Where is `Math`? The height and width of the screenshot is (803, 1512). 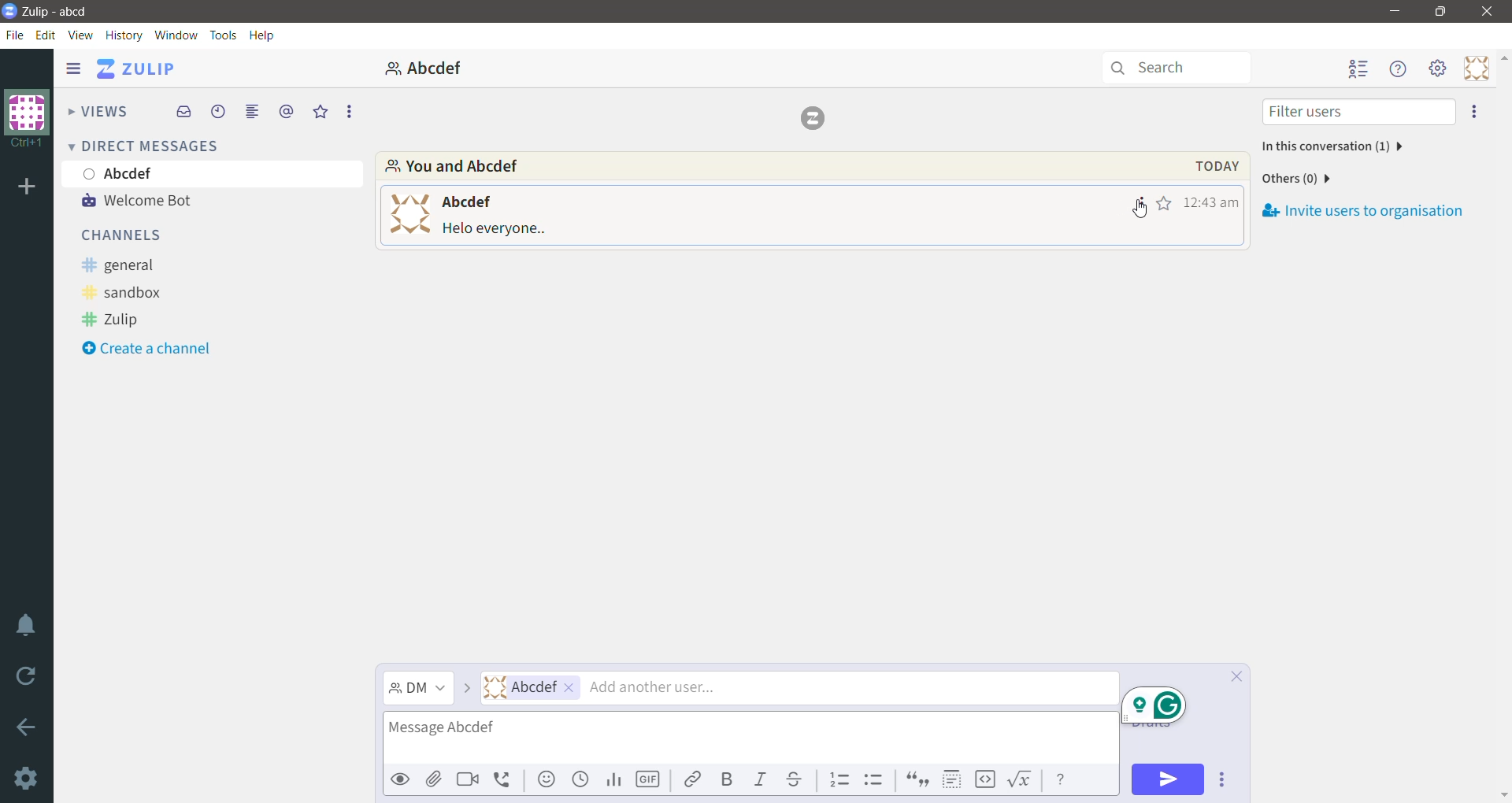 Math is located at coordinates (1022, 781).